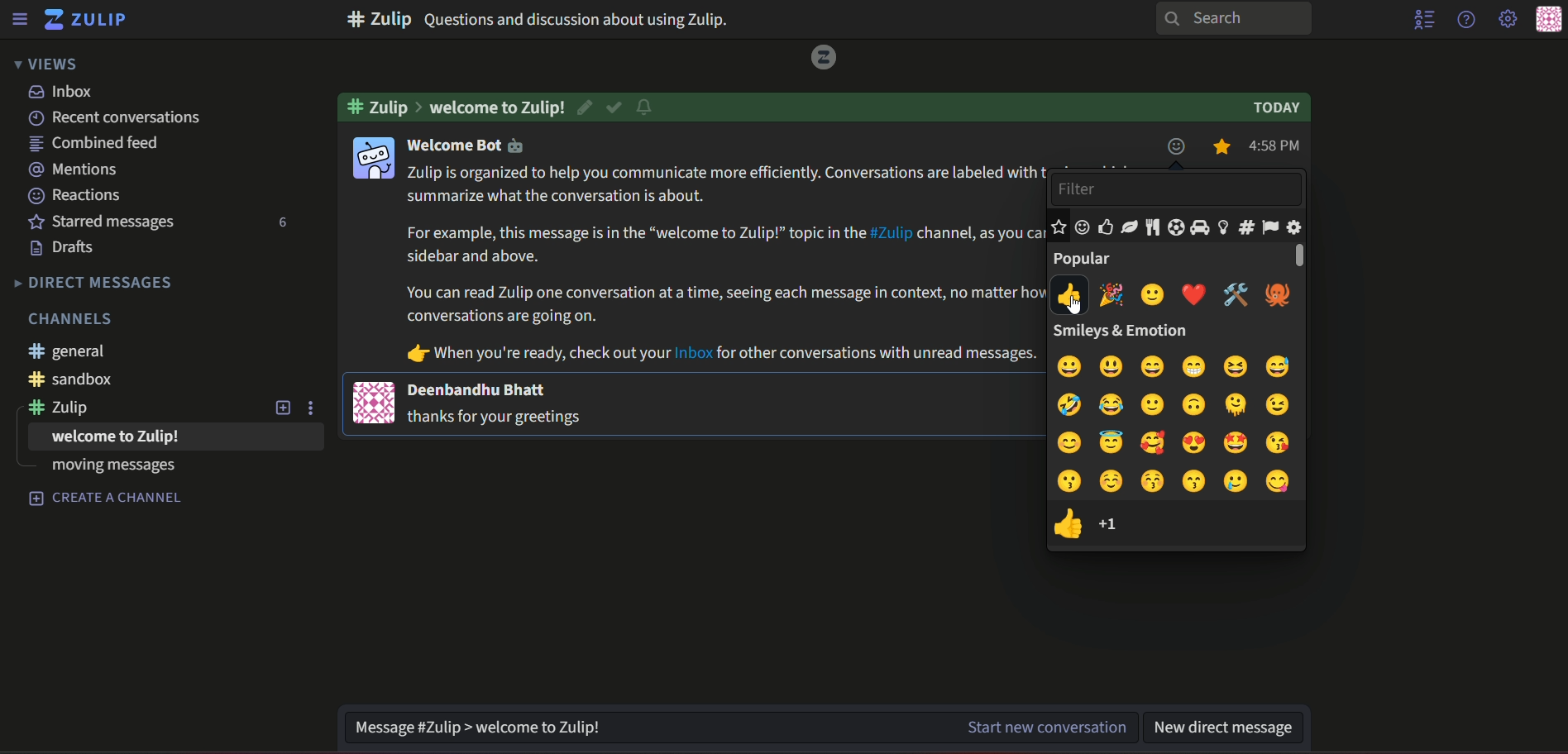  I want to click on search bar, so click(1239, 19).